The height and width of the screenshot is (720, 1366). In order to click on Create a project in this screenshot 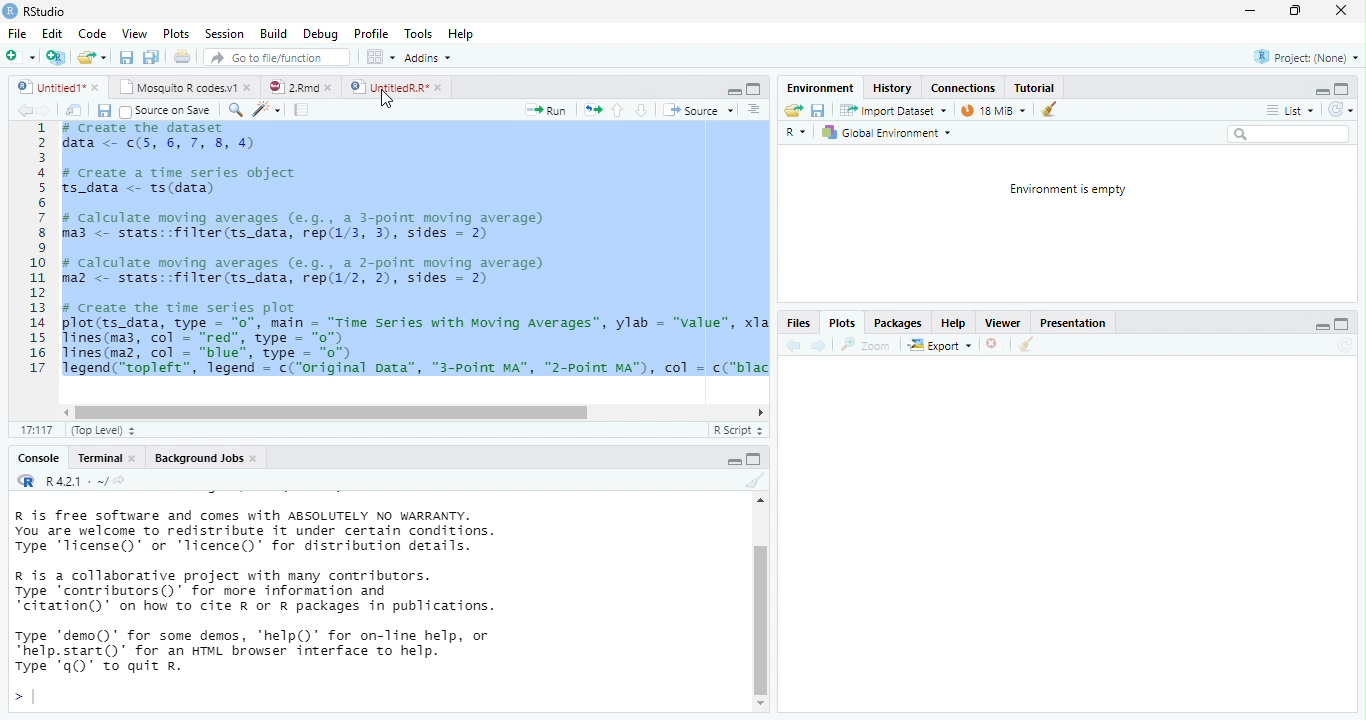, I will do `click(55, 57)`.